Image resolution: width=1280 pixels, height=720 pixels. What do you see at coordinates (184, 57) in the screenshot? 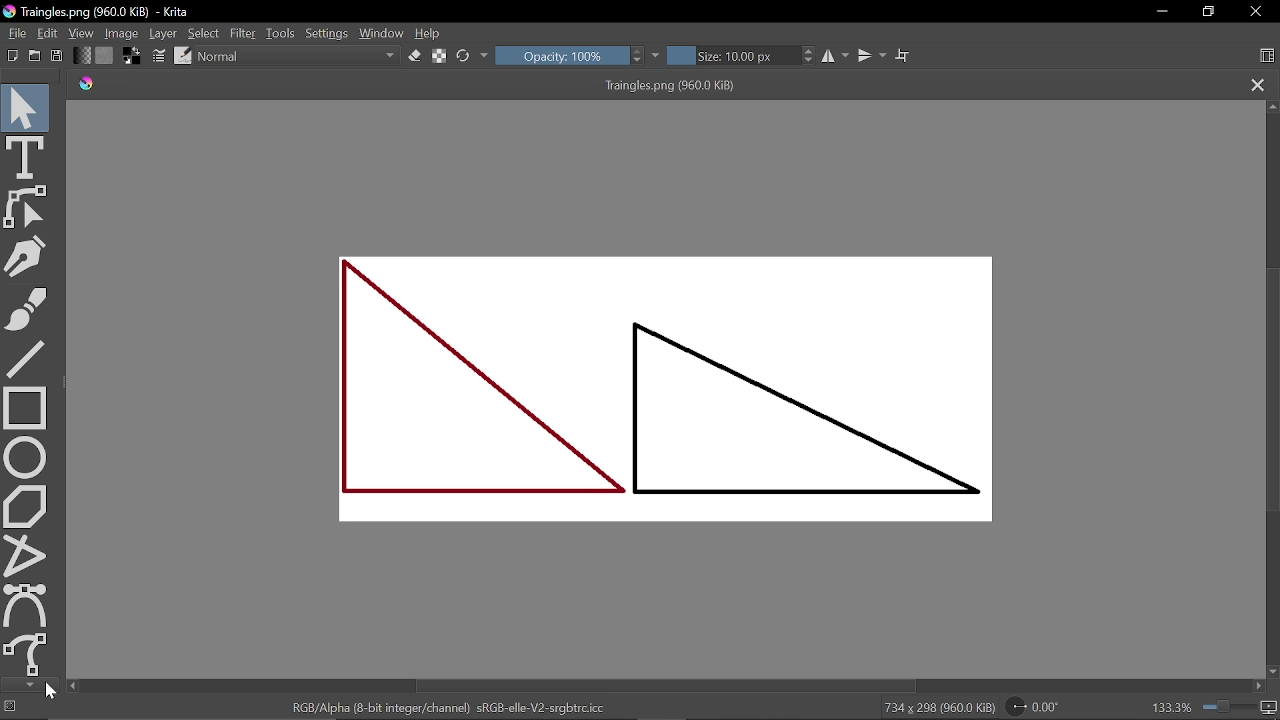
I see `Choose brush preset` at bounding box center [184, 57].